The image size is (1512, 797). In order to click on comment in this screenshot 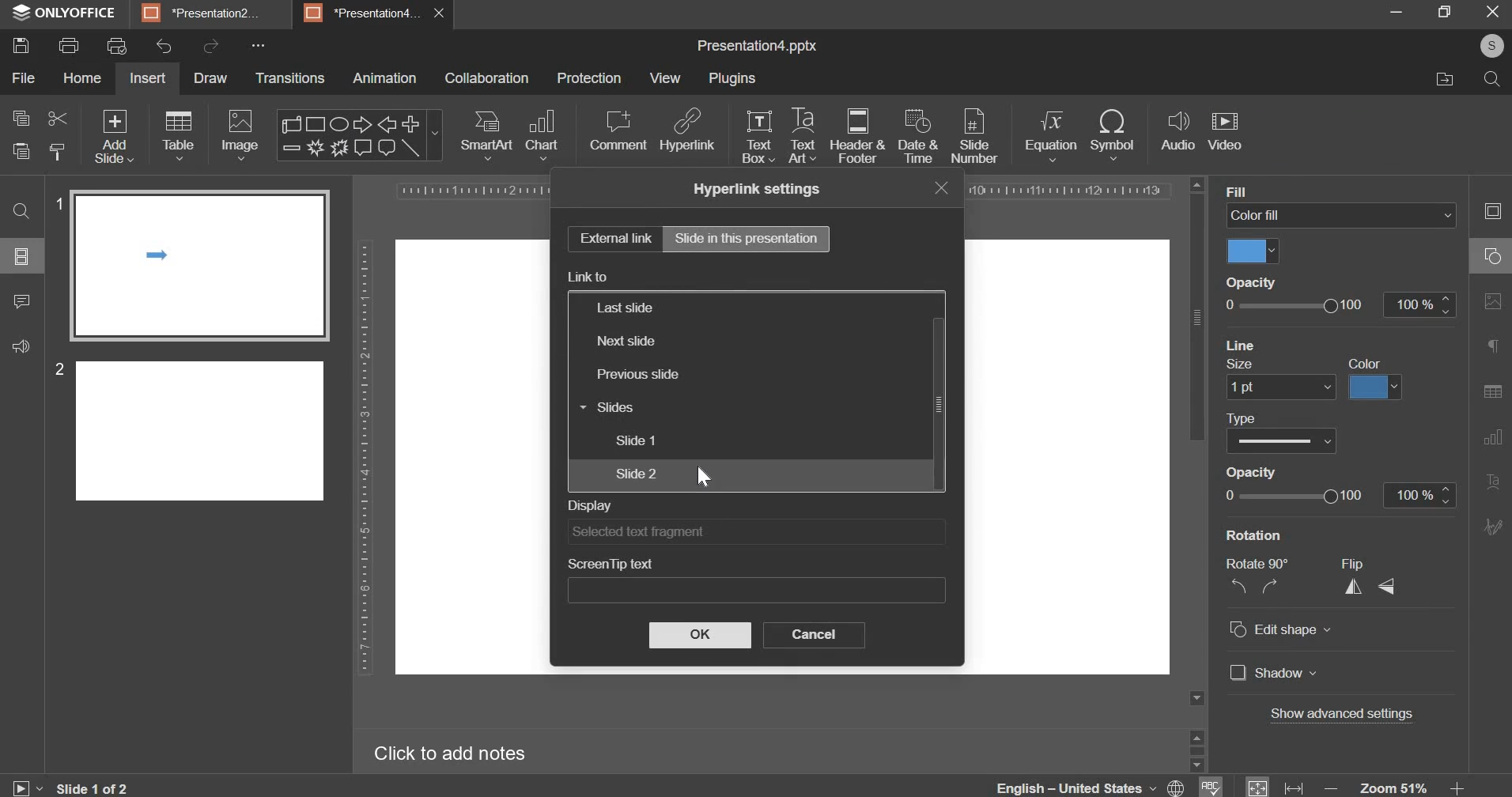, I will do `click(617, 131)`.